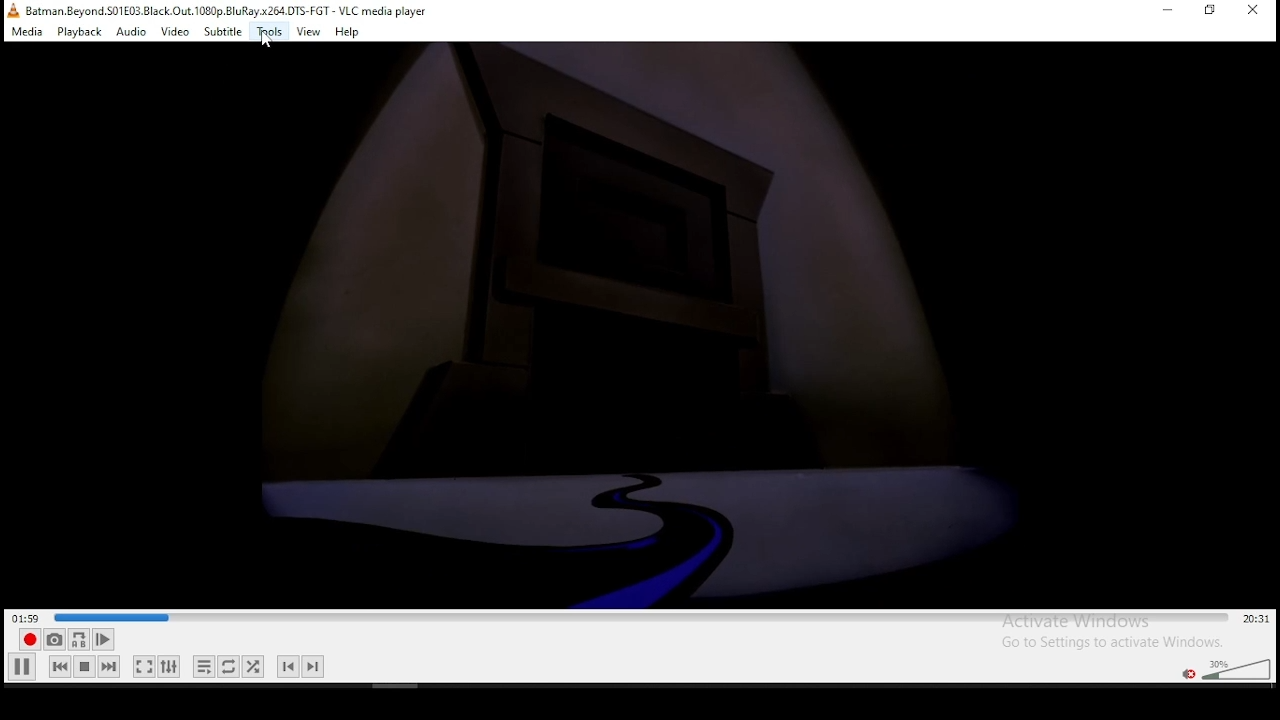 Image resolution: width=1280 pixels, height=720 pixels. I want to click on play/pause, so click(23, 666).